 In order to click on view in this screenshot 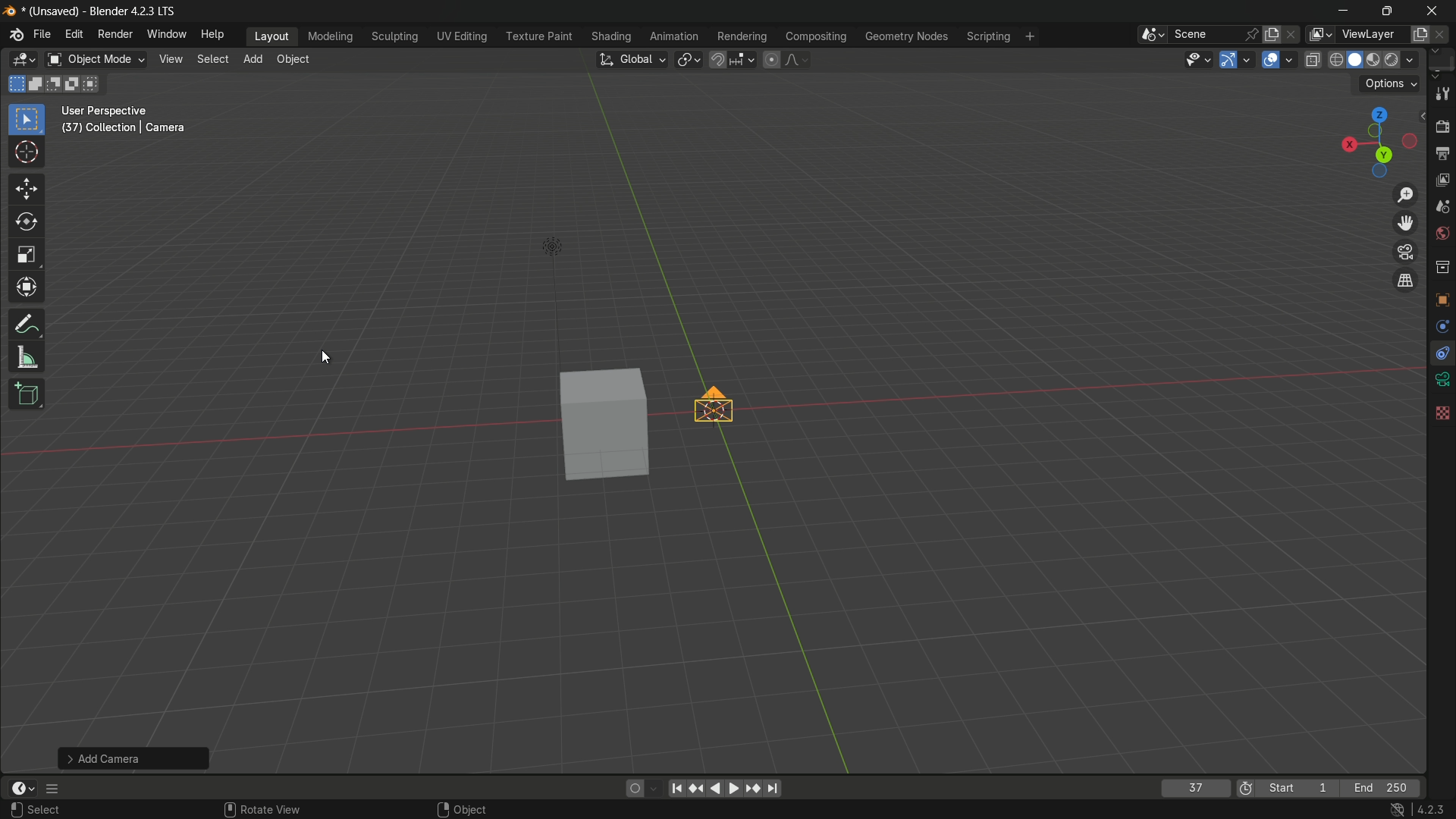, I will do `click(169, 60)`.